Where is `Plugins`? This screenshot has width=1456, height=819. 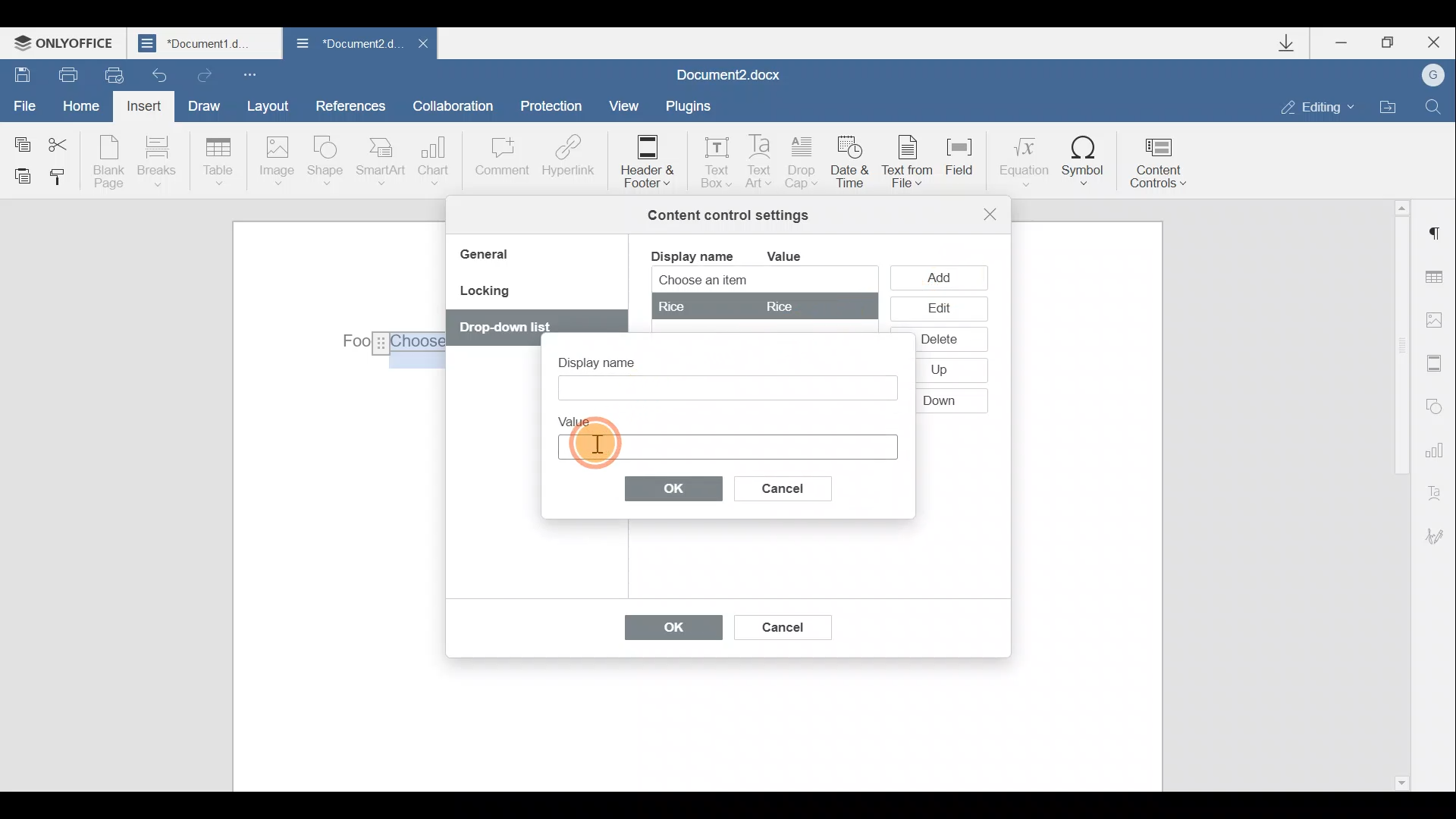
Plugins is located at coordinates (693, 106).